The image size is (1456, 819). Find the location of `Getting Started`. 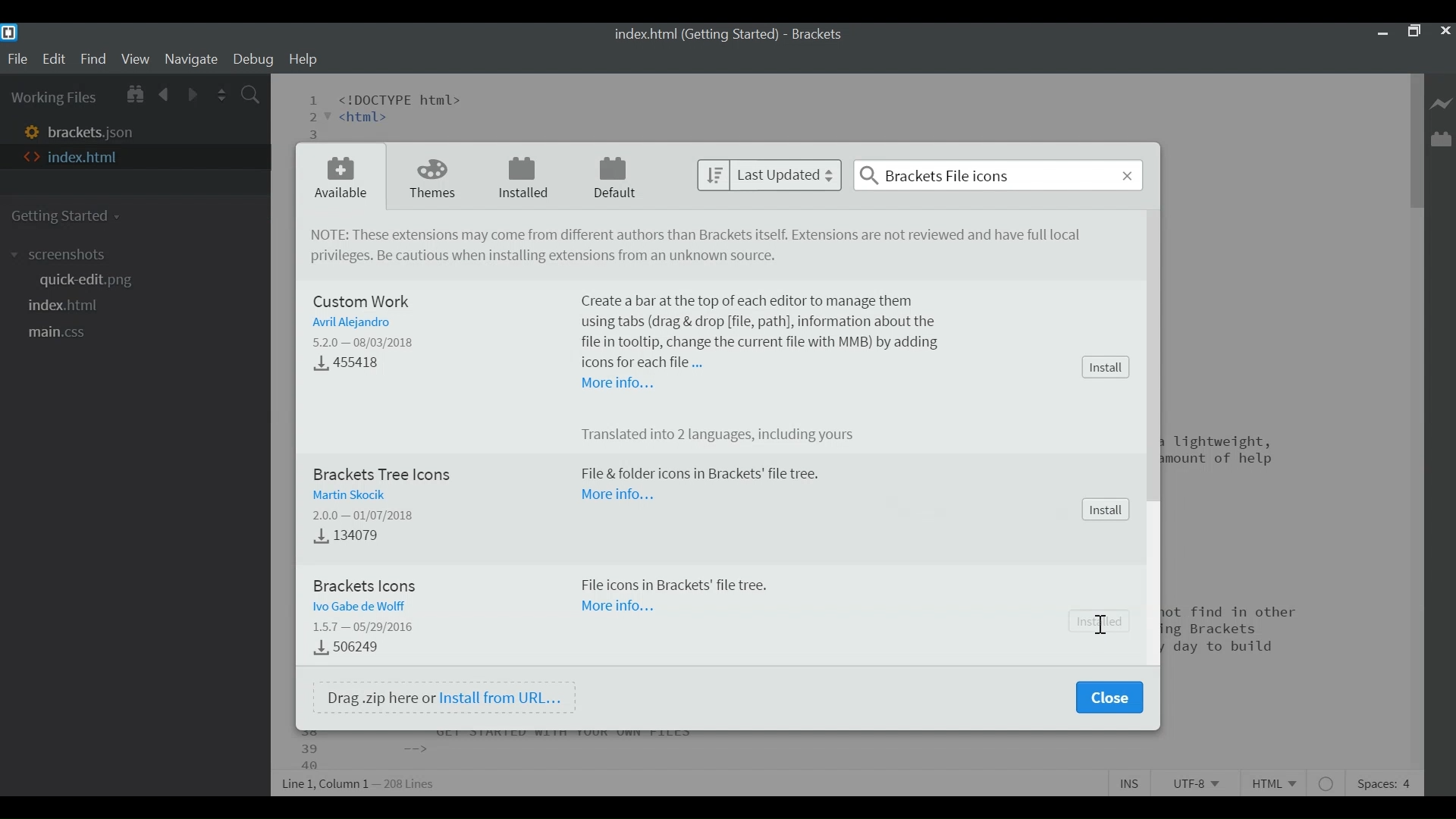

Getting Started is located at coordinates (68, 215).